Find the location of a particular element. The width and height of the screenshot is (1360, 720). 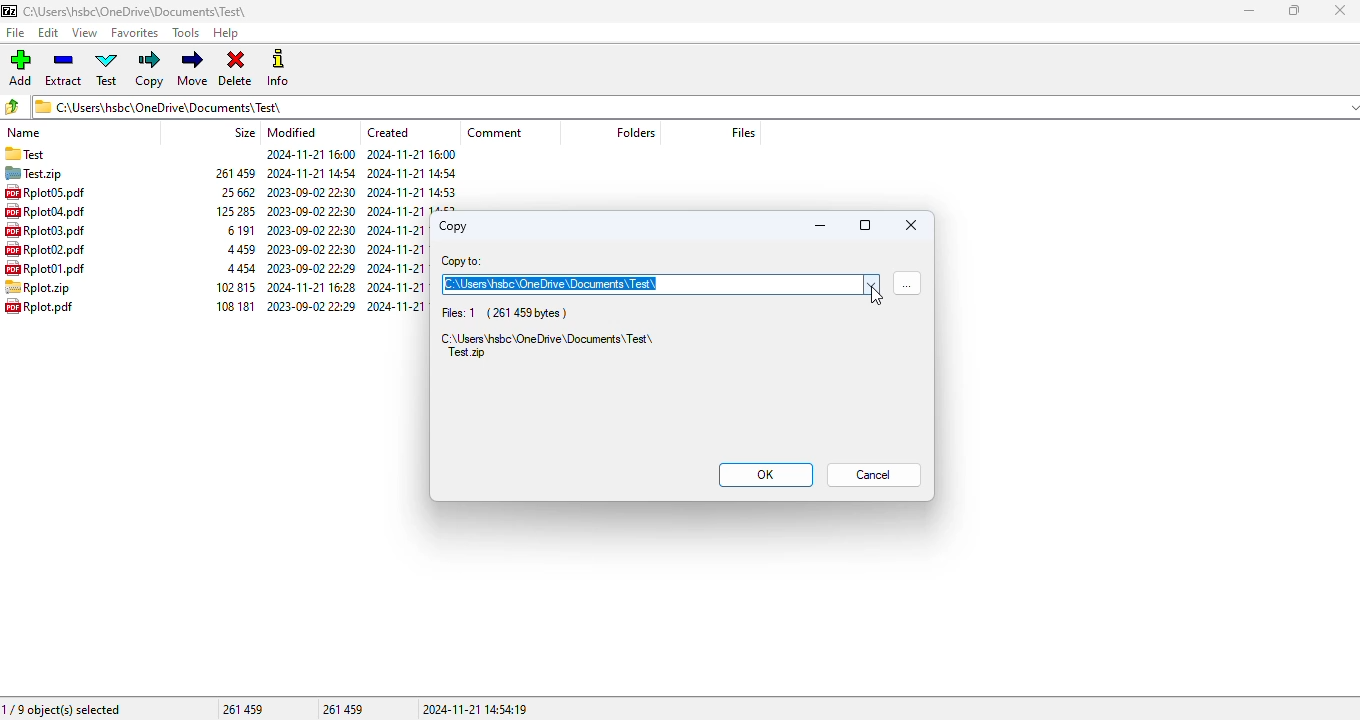

Files: 1 (261 459 bytes) is located at coordinates (504, 313).